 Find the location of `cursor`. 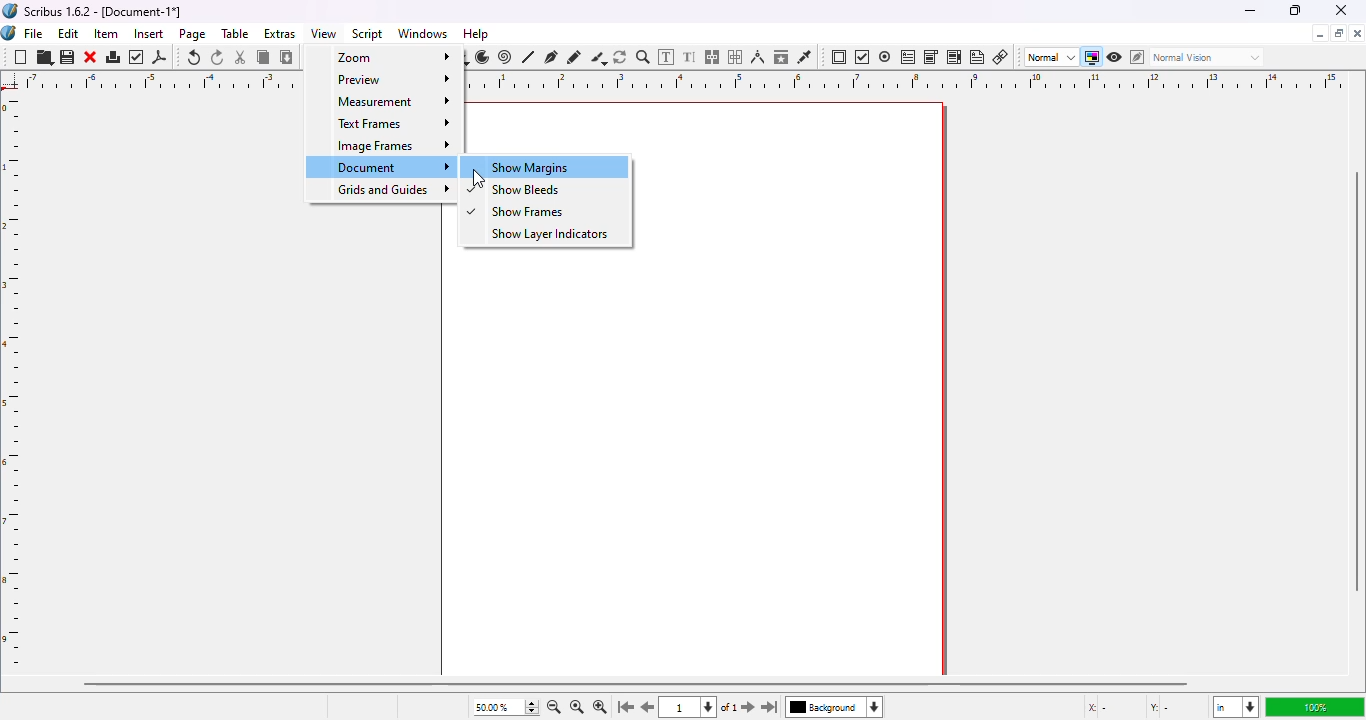

cursor is located at coordinates (476, 177).